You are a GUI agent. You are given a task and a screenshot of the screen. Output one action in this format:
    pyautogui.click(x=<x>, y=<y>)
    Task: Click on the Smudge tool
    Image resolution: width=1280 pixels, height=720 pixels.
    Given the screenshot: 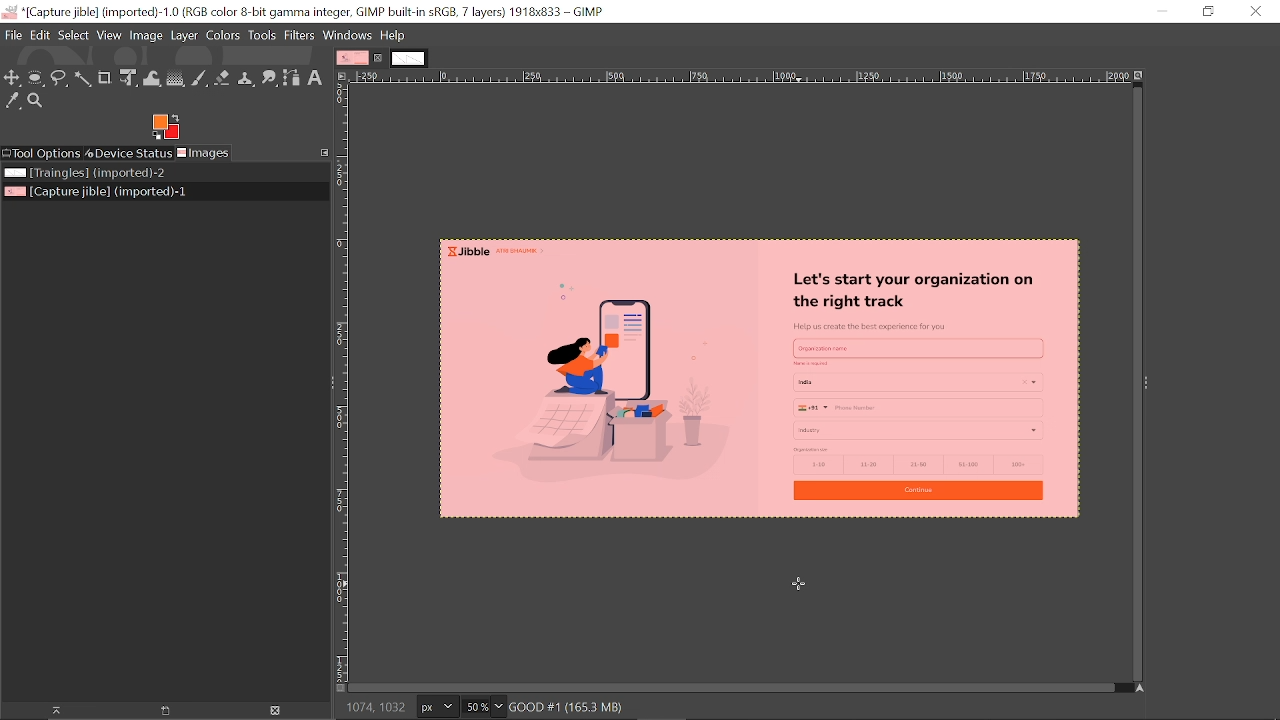 What is the action you would take?
    pyautogui.click(x=270, y=78)
    